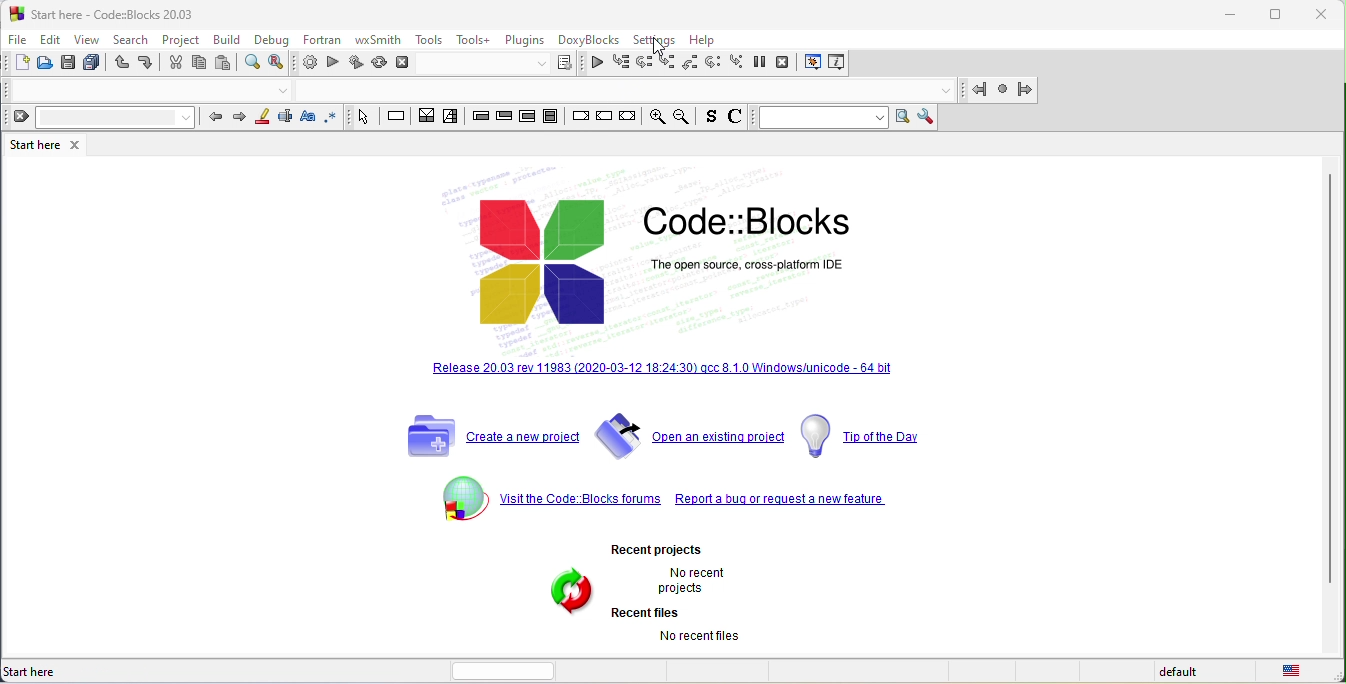 This screenshot has height=684, width=1346. I want to click on step into instruction, so click(738, 65).